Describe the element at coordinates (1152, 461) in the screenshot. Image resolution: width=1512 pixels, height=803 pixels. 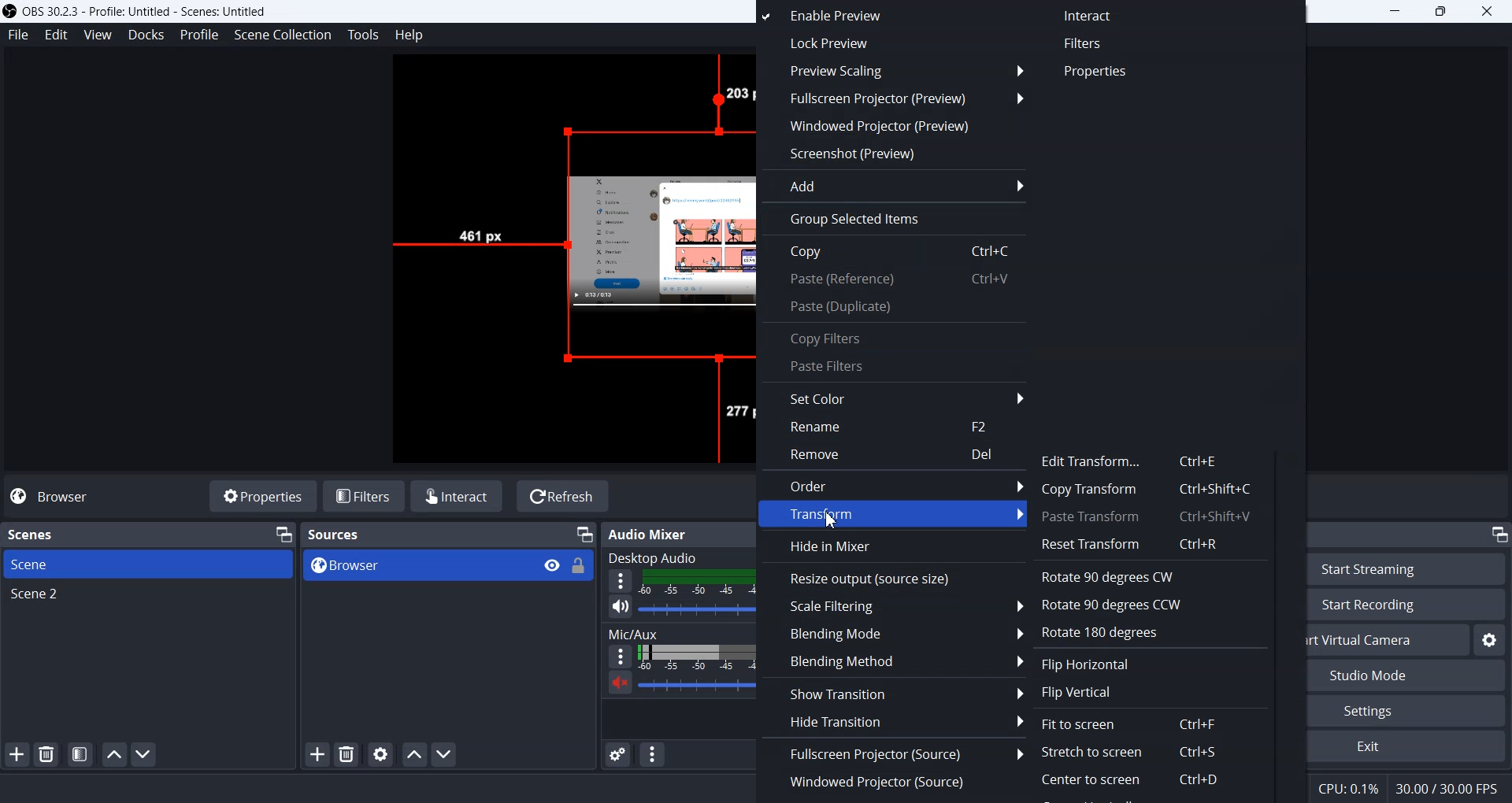
I see `Edit Transform` at that location.